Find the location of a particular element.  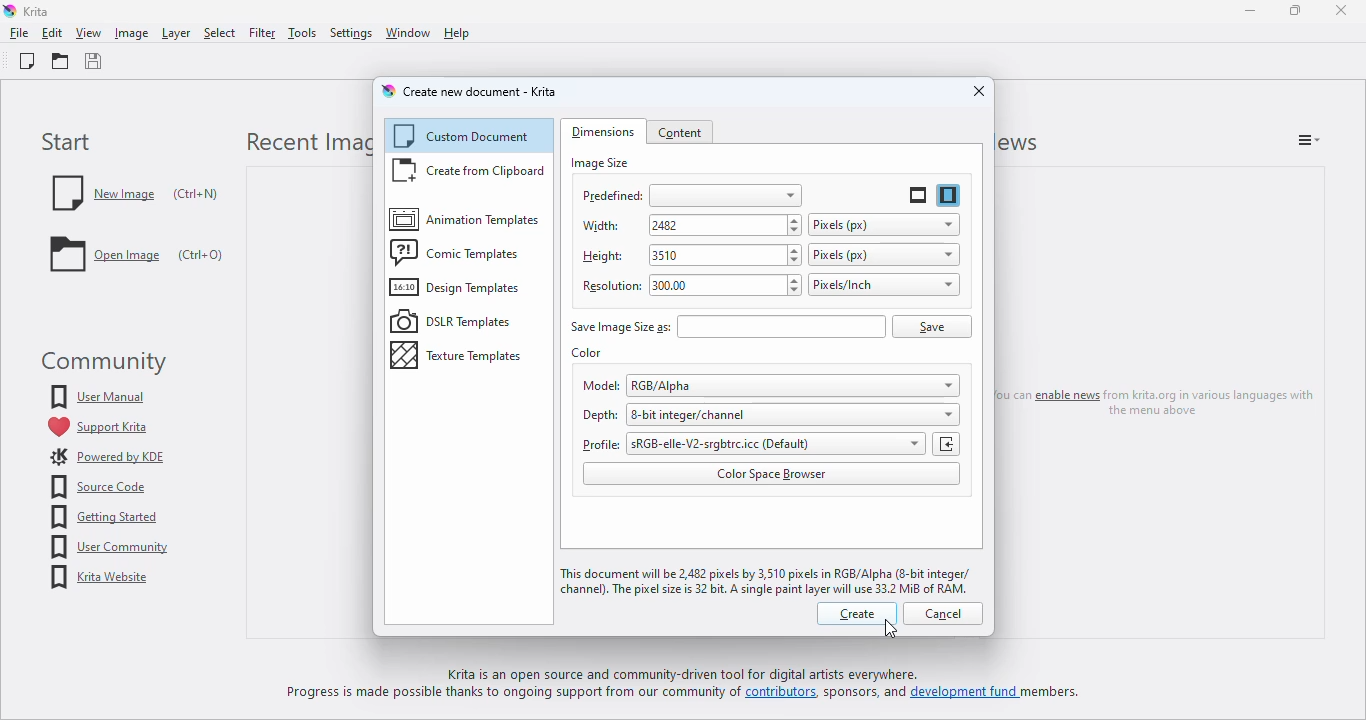

Decrease is located at coordinates (797, 232).